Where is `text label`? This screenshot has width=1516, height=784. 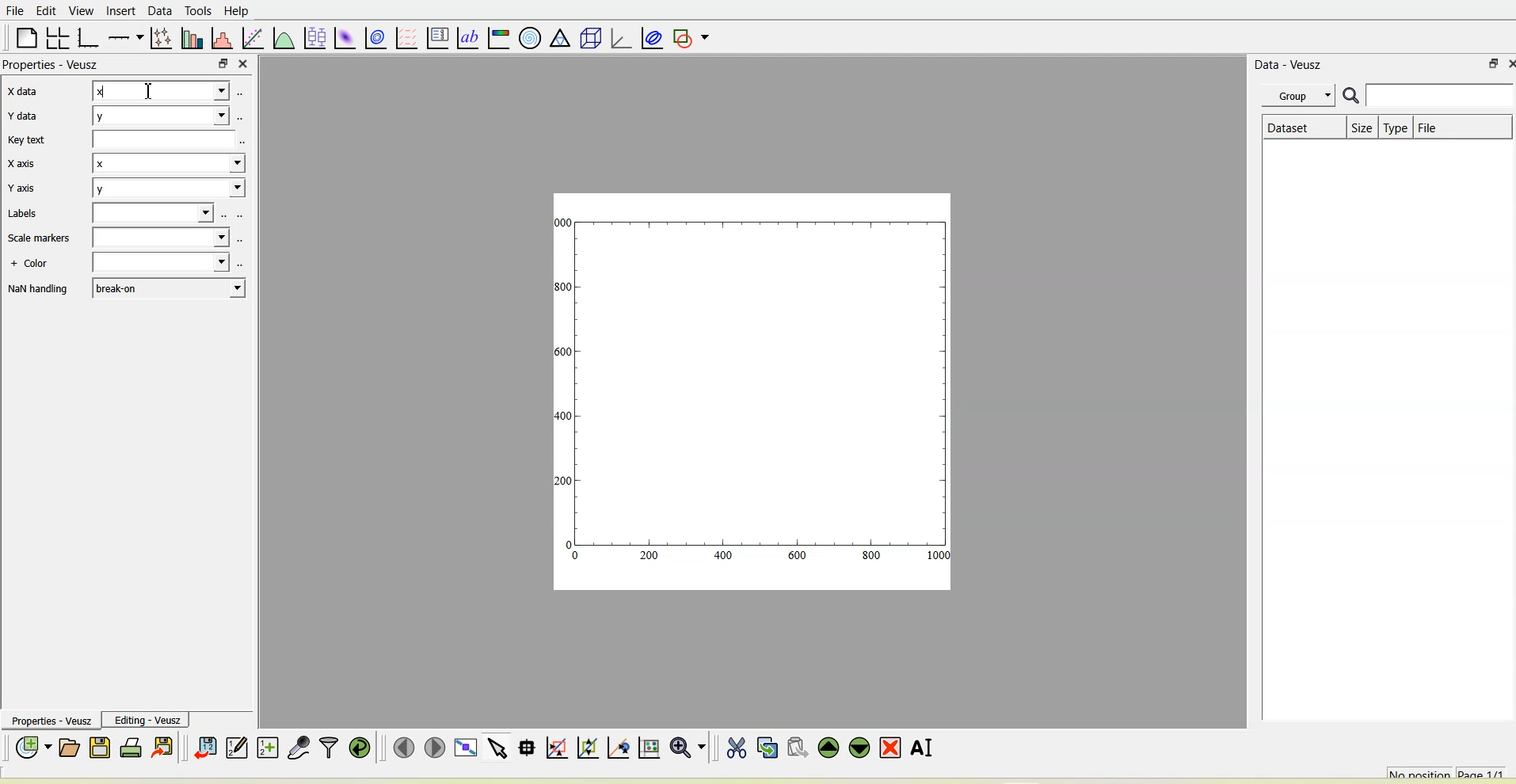 text label is located at coordinates (467, 37).